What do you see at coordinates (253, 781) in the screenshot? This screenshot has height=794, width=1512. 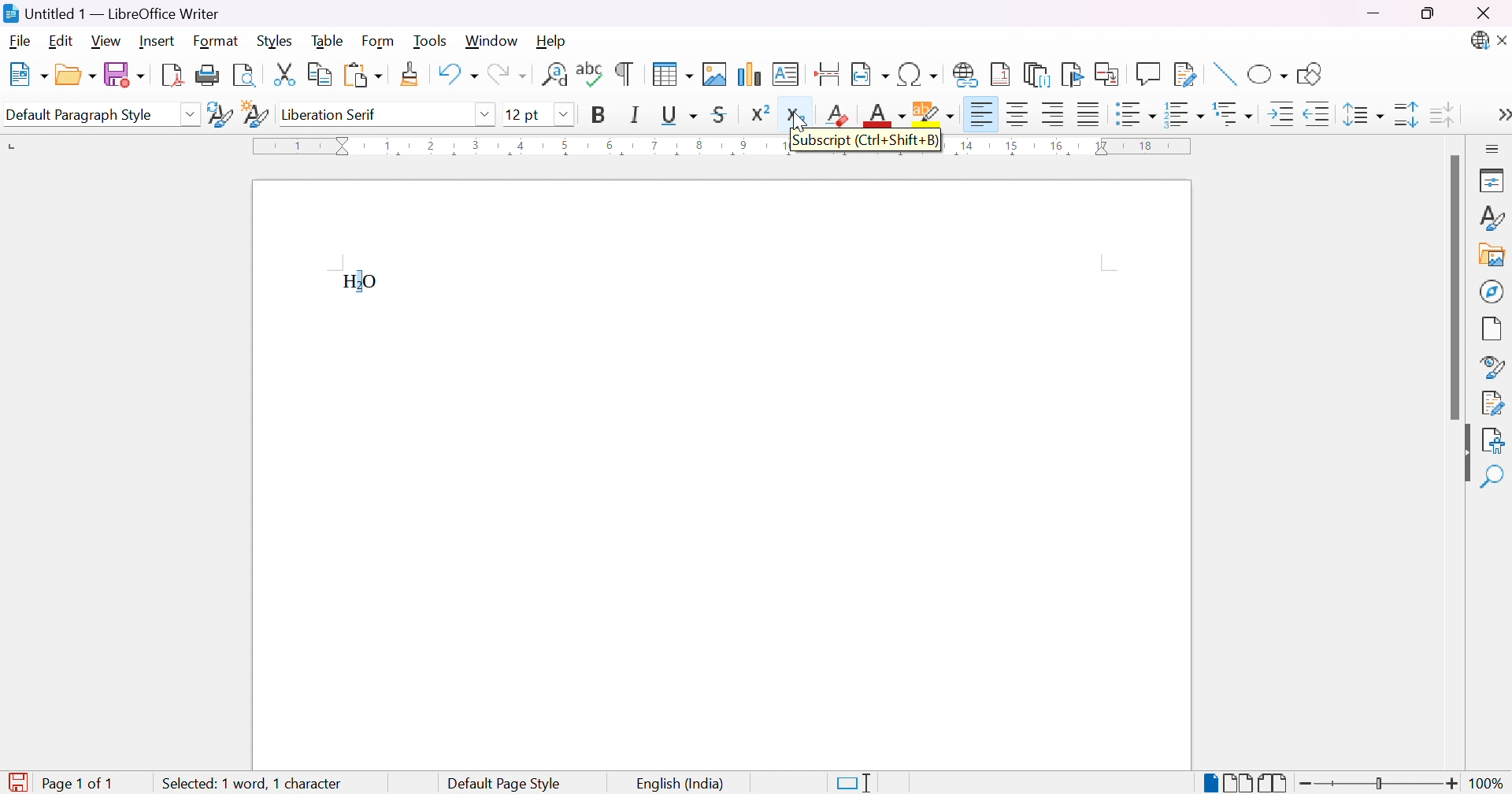 I see `Selected: 1 word, 1 character` at bounding box center [253, 781].